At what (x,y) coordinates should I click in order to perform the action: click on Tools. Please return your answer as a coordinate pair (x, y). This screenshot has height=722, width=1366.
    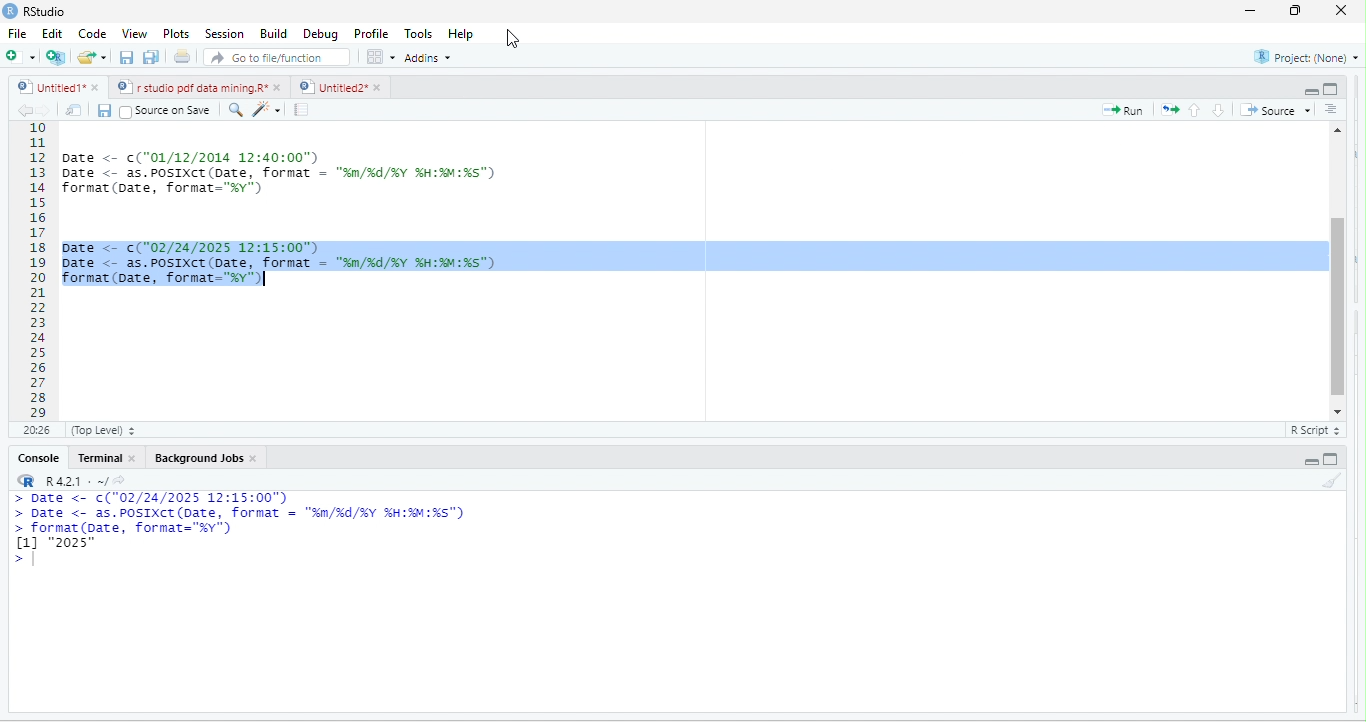
    Looking at the image, I should click on (416, 34).